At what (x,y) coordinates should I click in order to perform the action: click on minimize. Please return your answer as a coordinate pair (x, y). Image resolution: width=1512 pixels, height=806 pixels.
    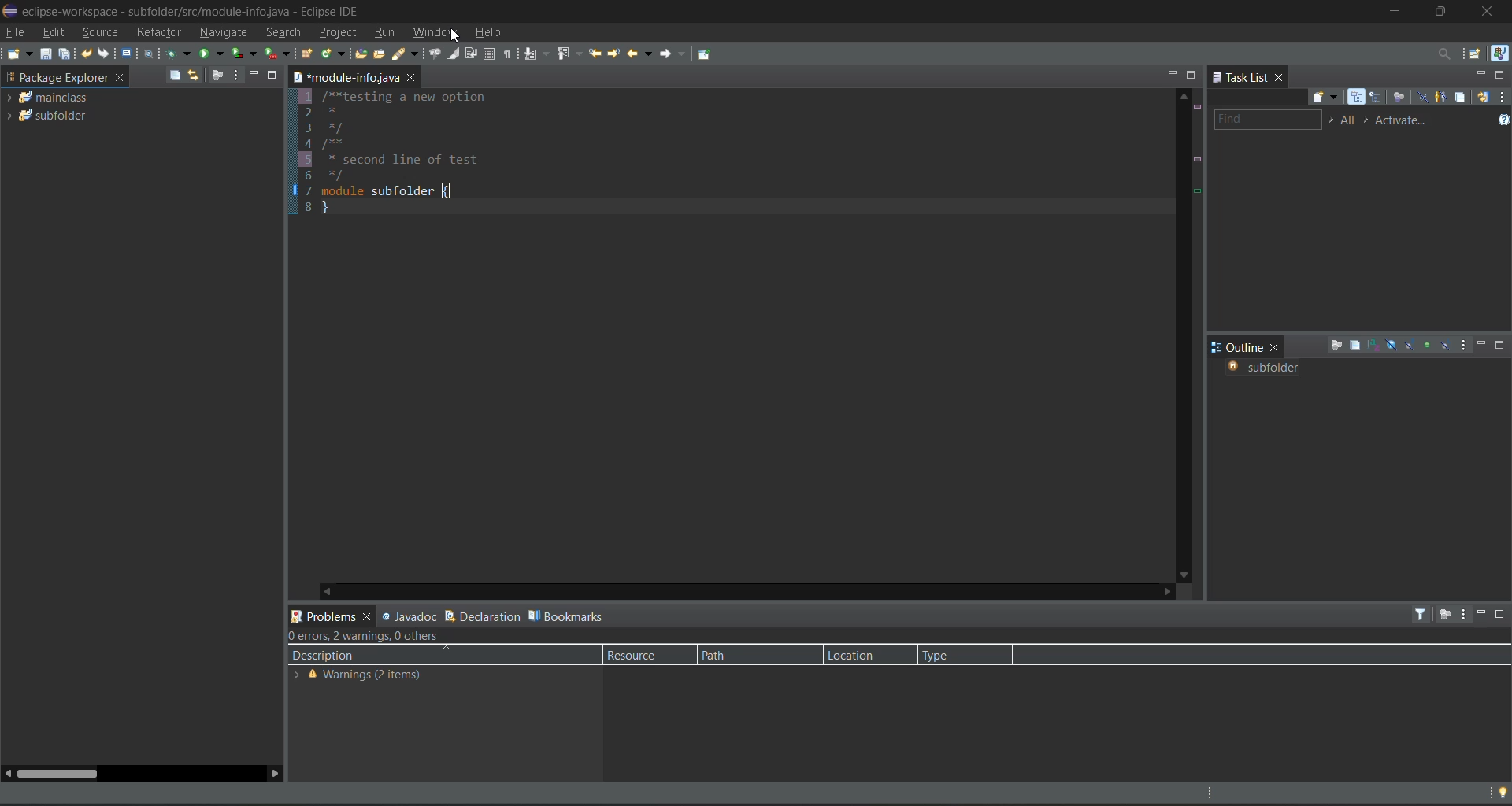
    Looking at the image, I should click on (258, 76).